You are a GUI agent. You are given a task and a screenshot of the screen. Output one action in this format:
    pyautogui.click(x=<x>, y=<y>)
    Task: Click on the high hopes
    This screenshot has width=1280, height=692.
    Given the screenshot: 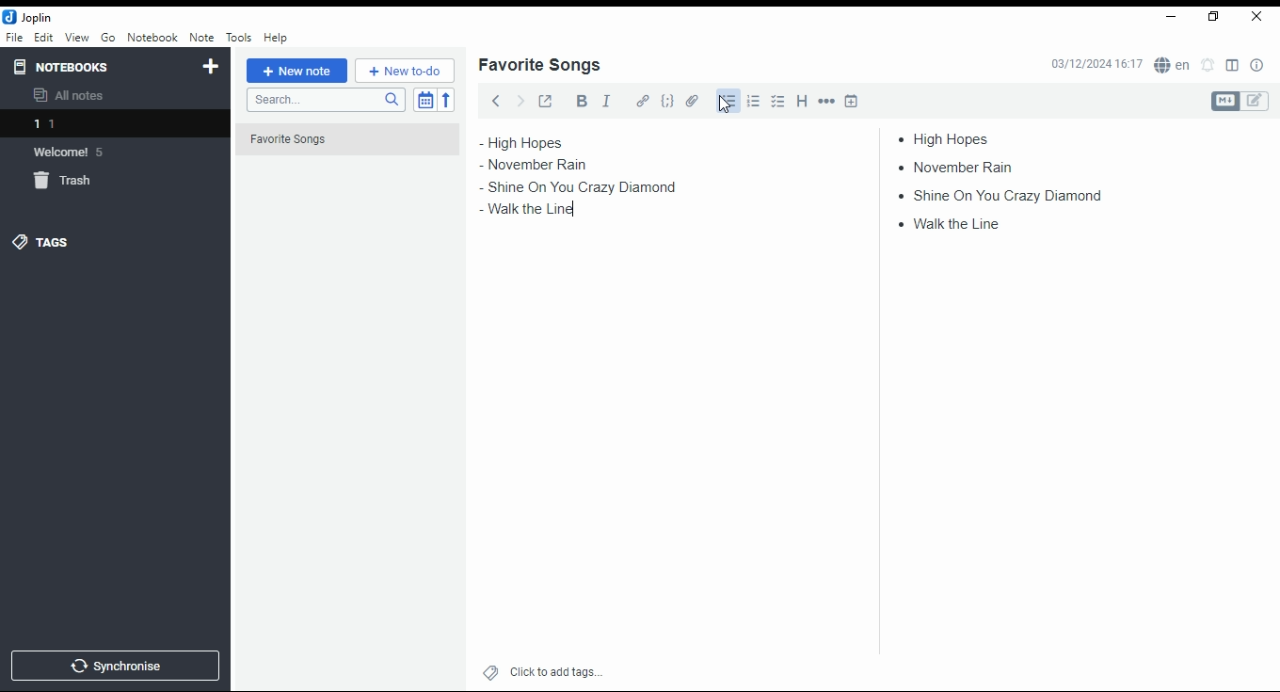 What is the action you would take?
    pyautogui.click(x=547, y=143)
    